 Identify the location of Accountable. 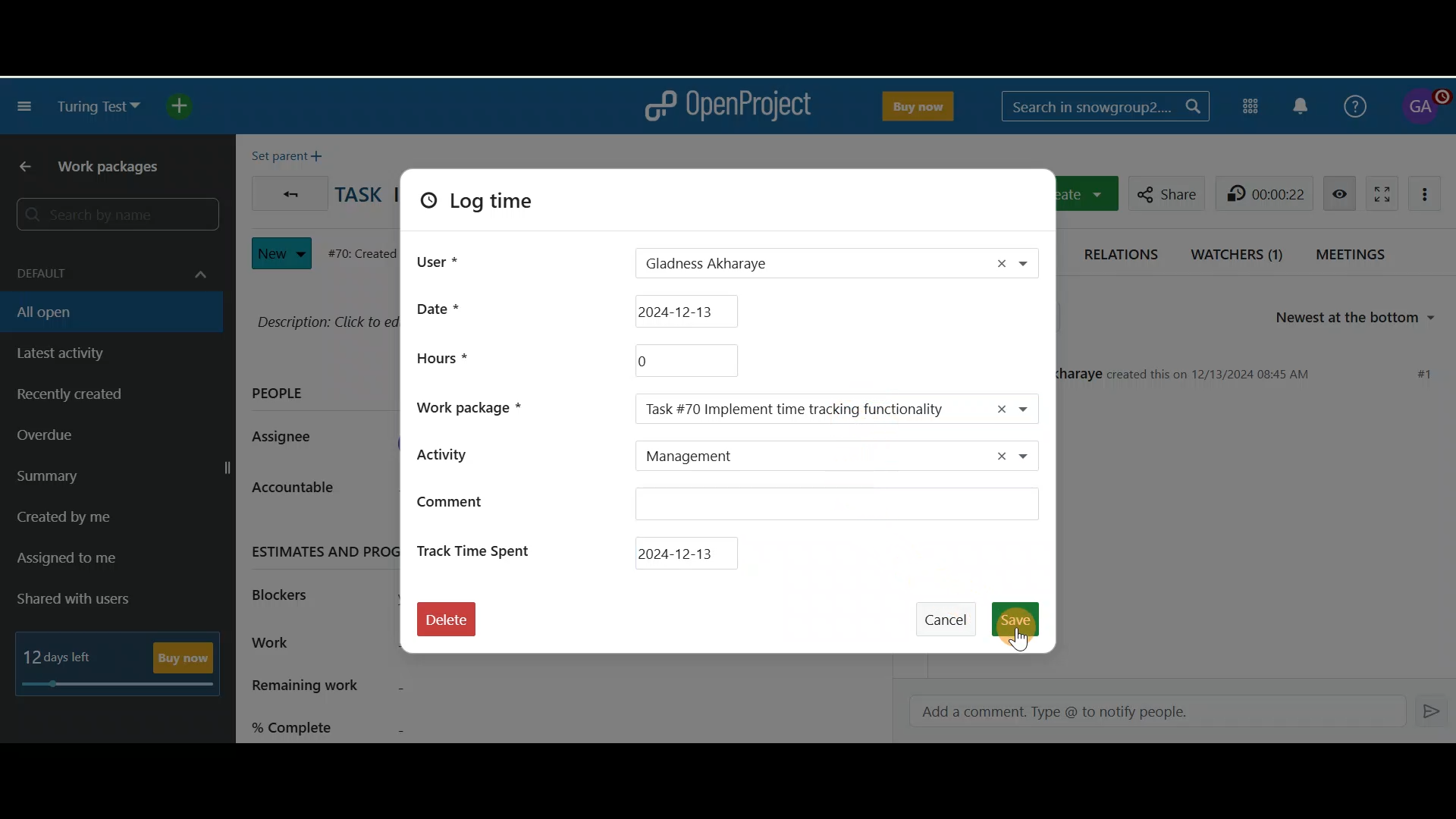
(306, 493).